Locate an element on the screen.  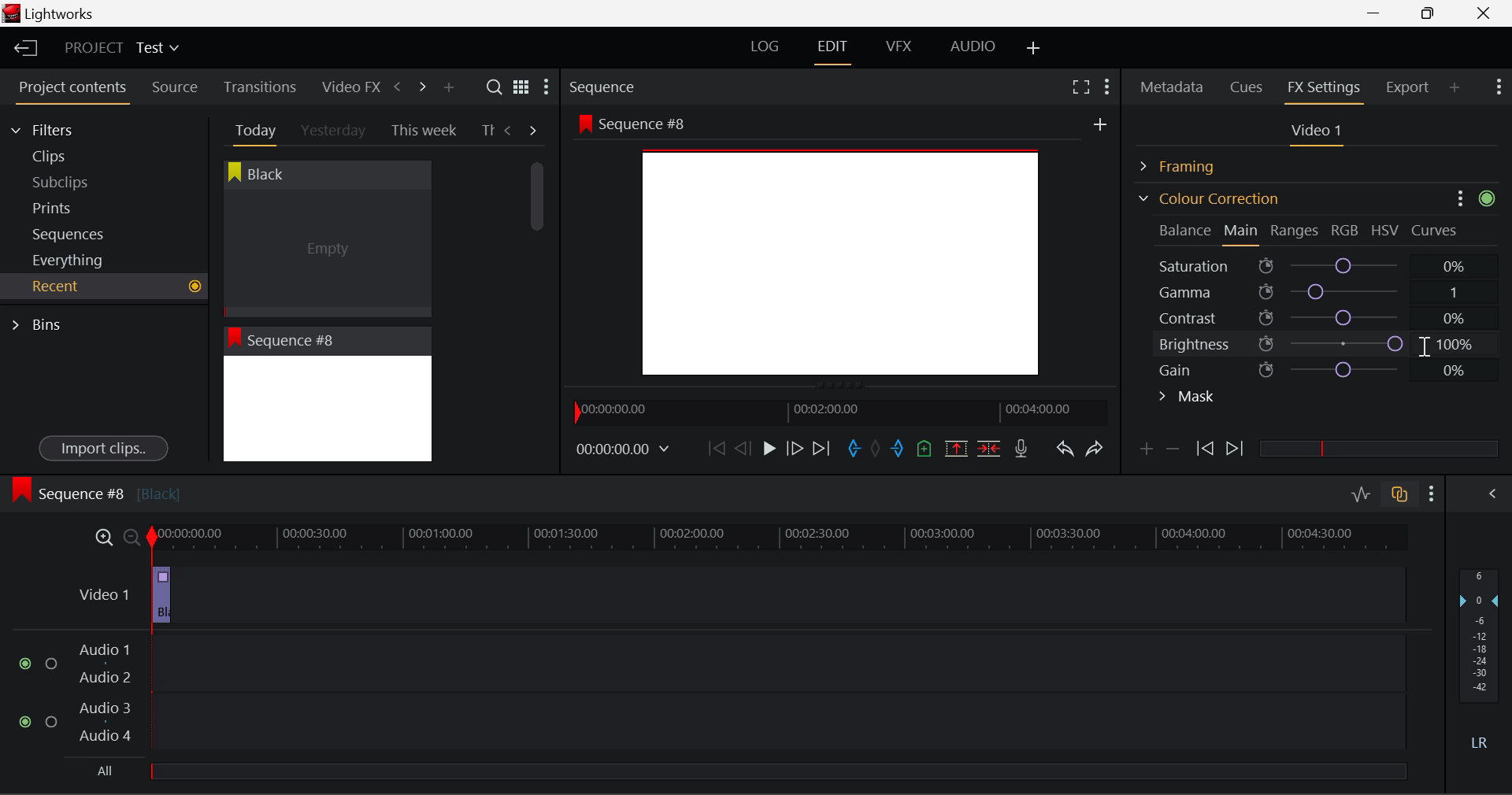
Project Timeline is located at coordinates (780, 538).